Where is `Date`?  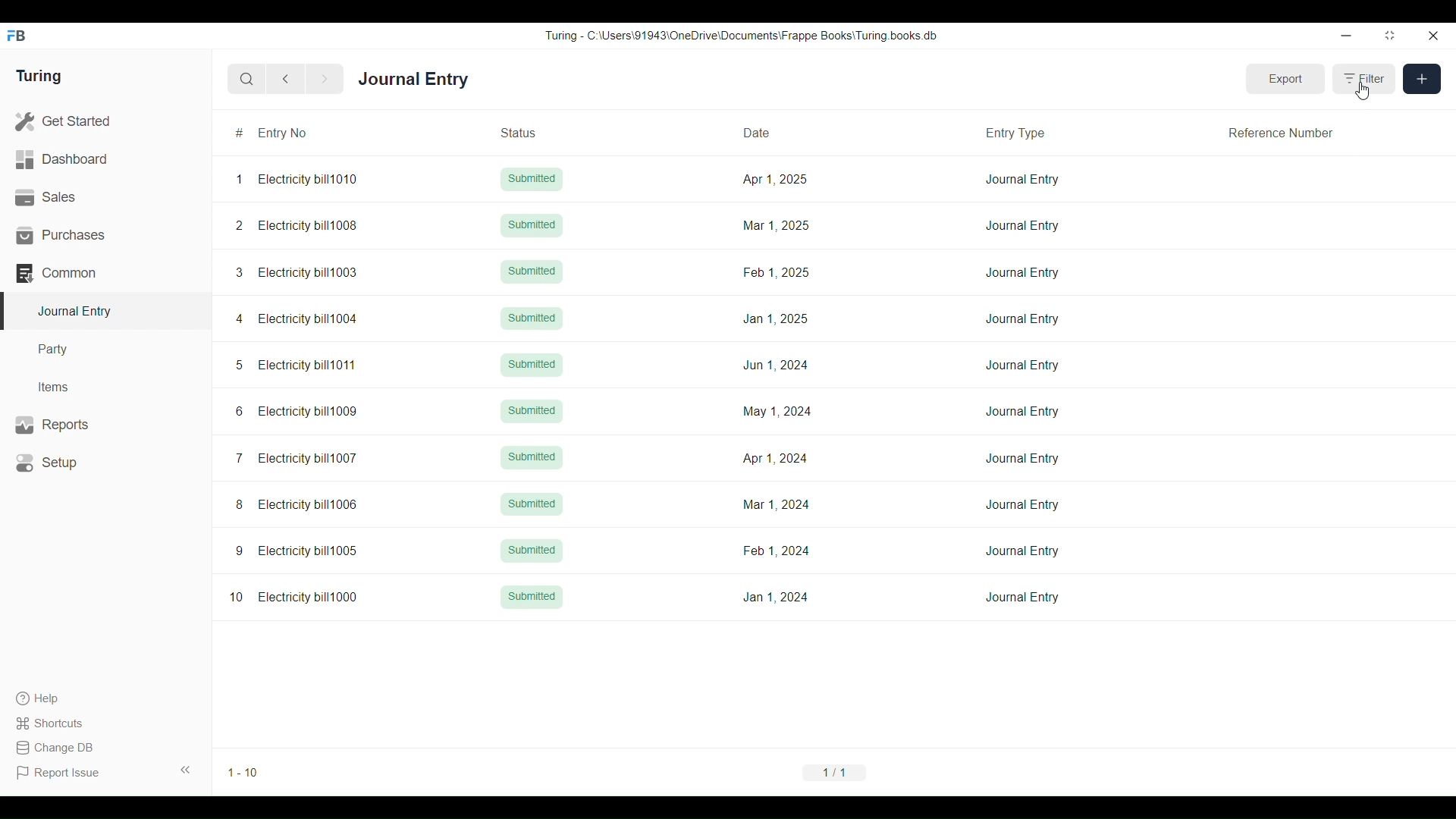
Date is located at coordinates (775, 131).